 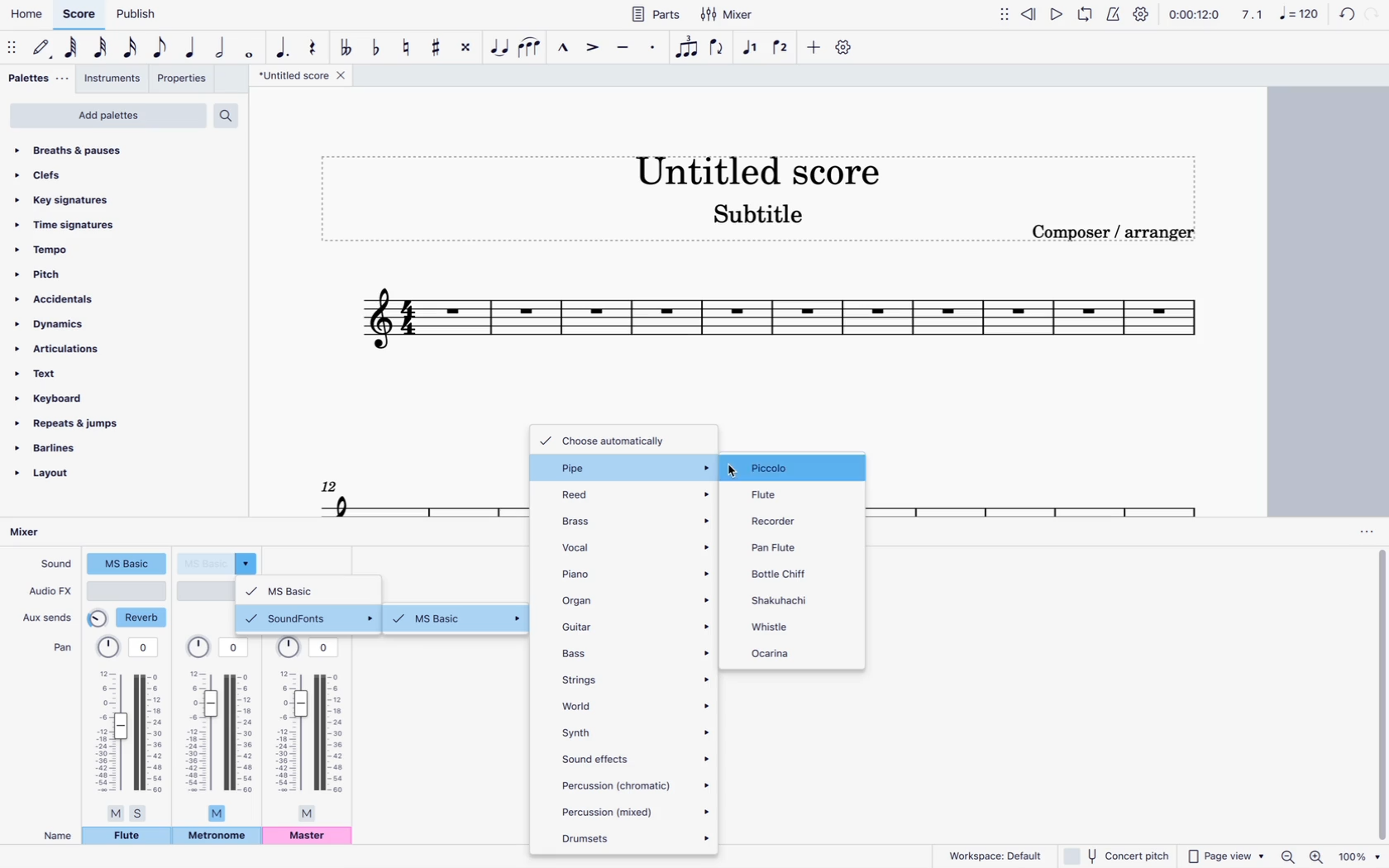 What do you see at coordinates (120, 150) in the screenshot?
I see `breaths & pauses` at bounding box center [120, 150].